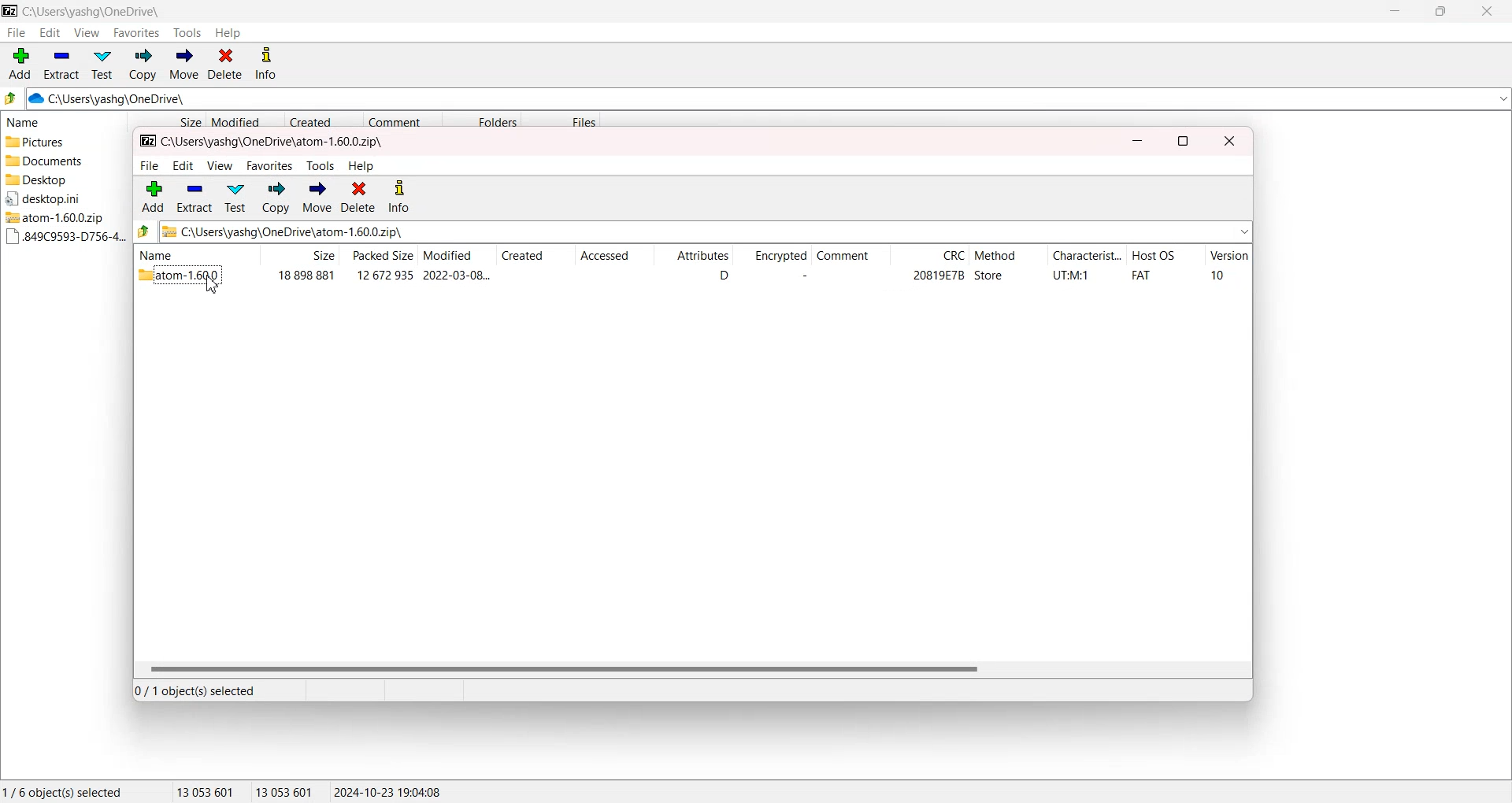  Describe the element at coordinates (317, 198) in the screenshot. I see `move` at that location.